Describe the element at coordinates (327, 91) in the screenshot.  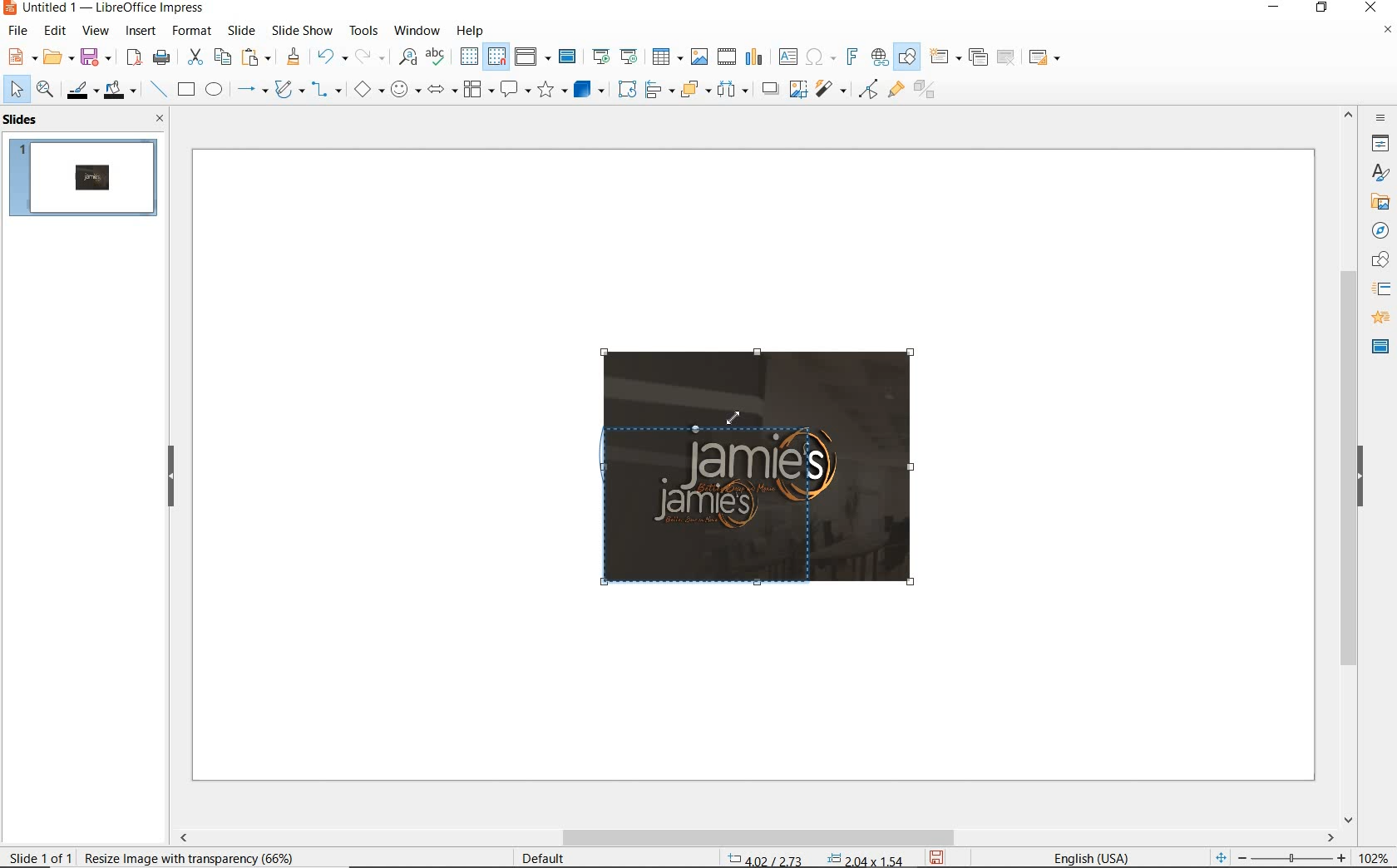
I see `connectors` at that location.